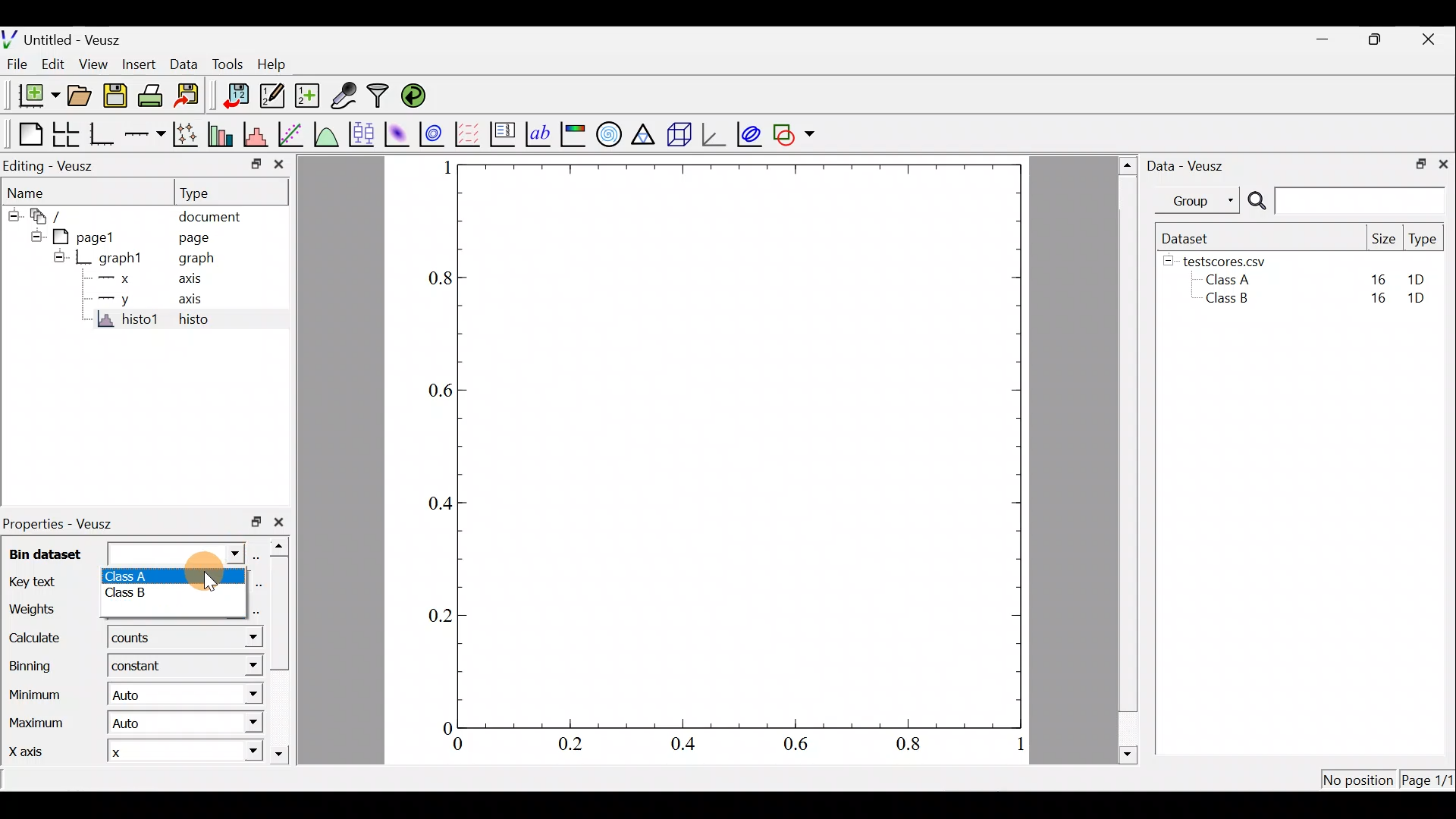 This screenshot has height=819, width=1456. Describe the element at coordinates (396, 132) in the screenshot. I see `Plot a 2d dataset as an image` at that location.